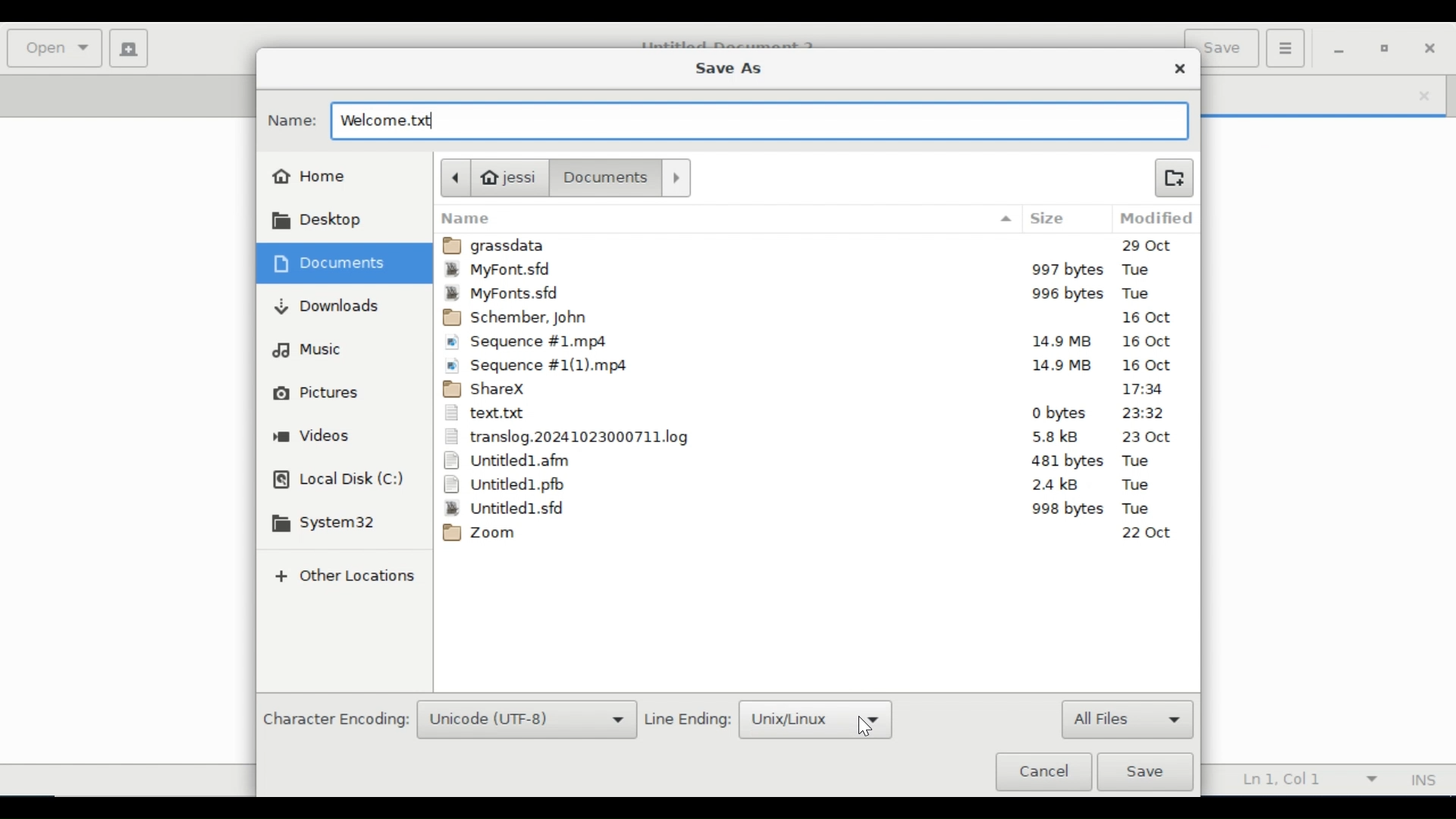 The image size is (1456, 819). What do you see at coordinates (335, 717) in the screenshot?
I see `Character Encoding` at bounding box center [335, 717].